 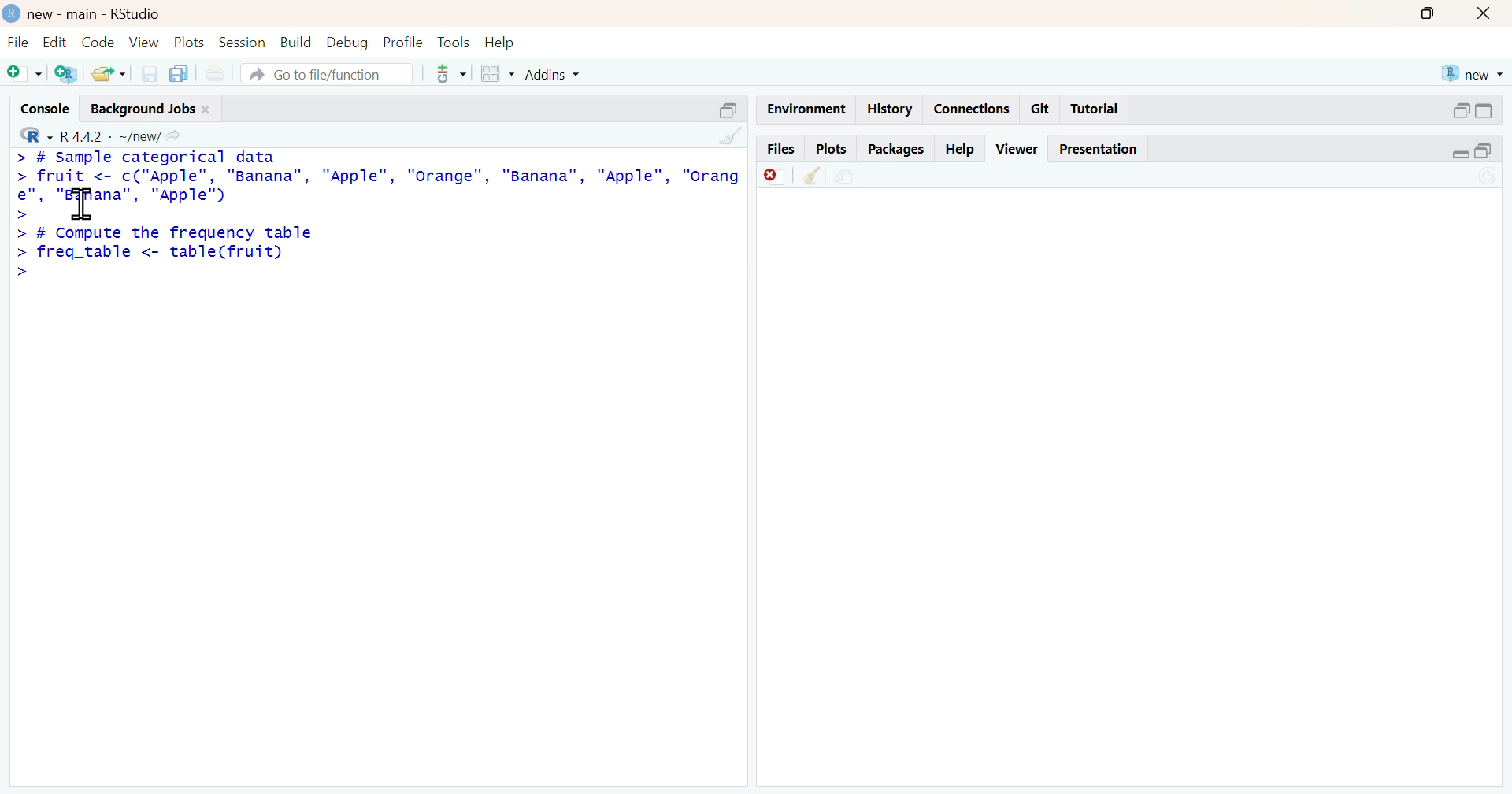 What do you see at coordinates (1095, 111) in the screenshot?
I see `tutorial` at bounding box center [1095, 111].